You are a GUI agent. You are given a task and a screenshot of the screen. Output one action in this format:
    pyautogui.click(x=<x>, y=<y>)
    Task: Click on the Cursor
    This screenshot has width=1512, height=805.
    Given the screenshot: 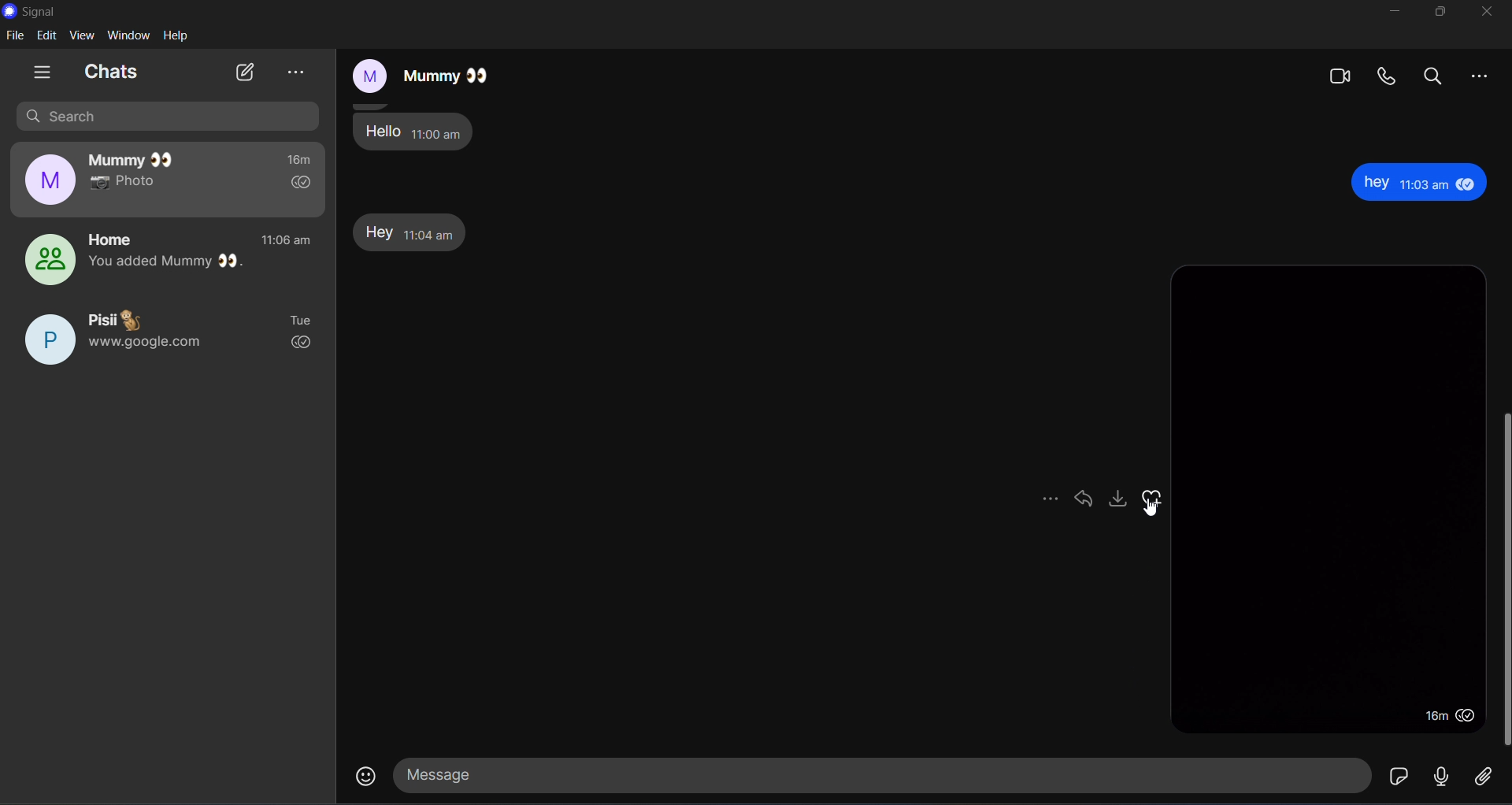 What is the action you would take?
    pyautogui.click(x=1150, y=510)
    